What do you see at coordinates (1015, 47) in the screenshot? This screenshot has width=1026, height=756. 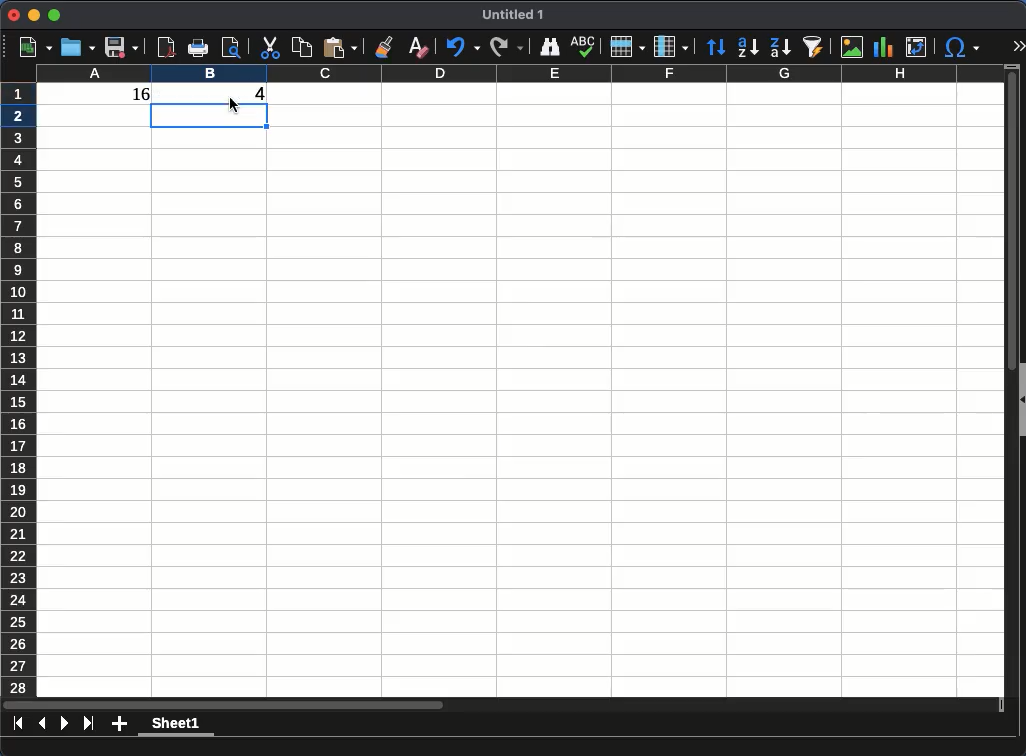 I see `expand ` at bounding box center [1015, 47].